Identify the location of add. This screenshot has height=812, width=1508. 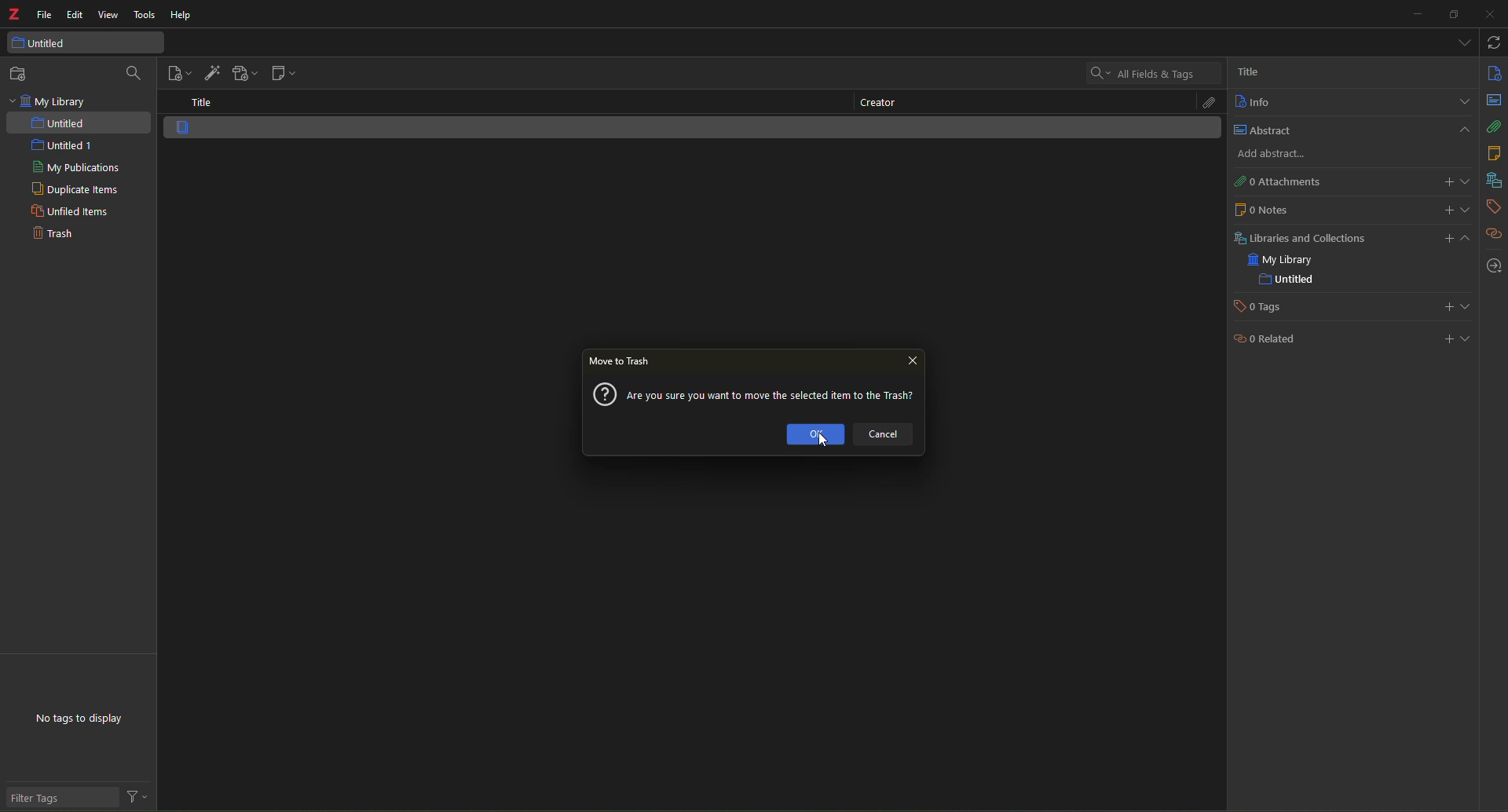
(1443, 338).